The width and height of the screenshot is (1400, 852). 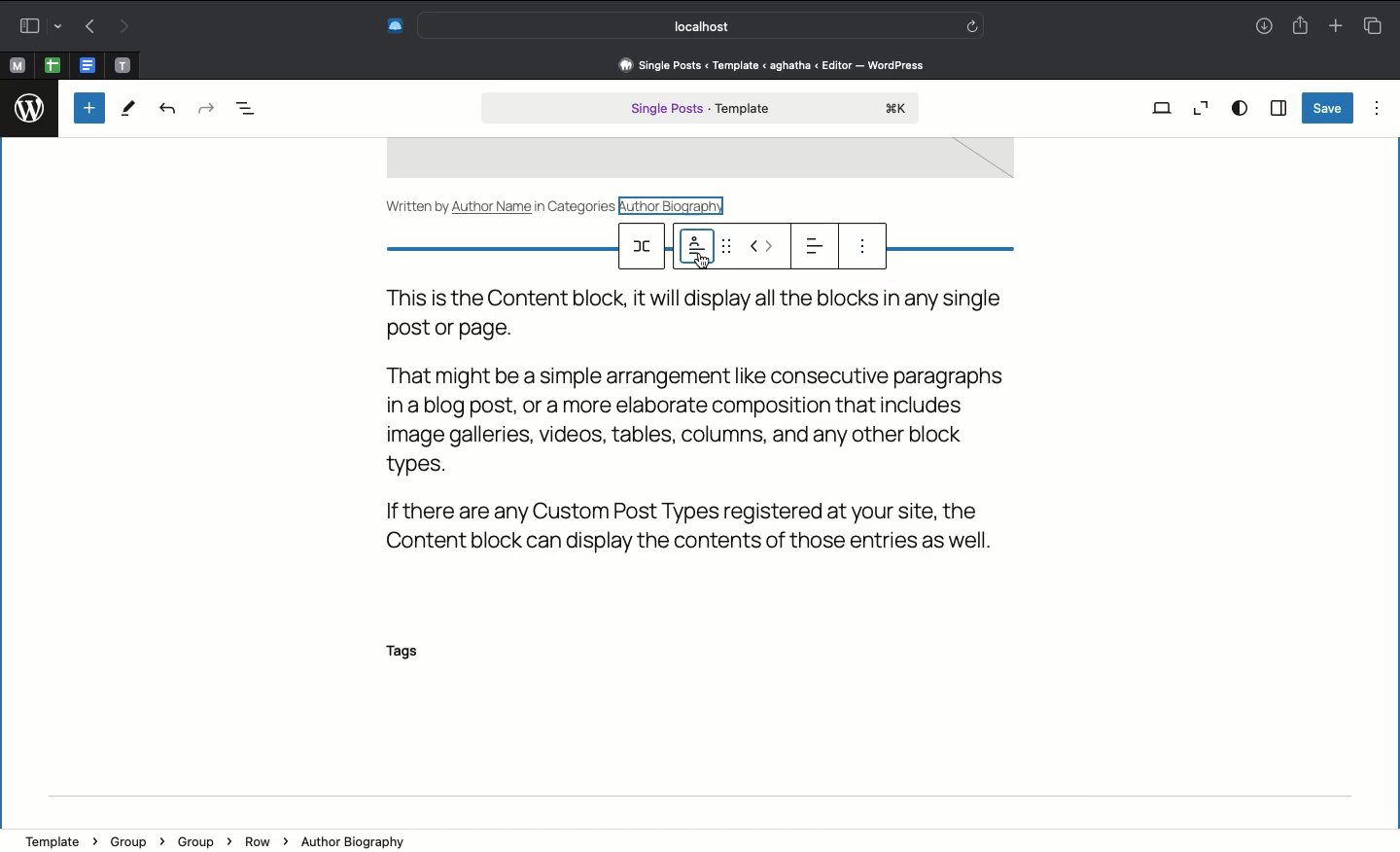 What do you see at coordinates (134, 839) in the screenshot?
I see `Group` at bounding box center [134, 839].